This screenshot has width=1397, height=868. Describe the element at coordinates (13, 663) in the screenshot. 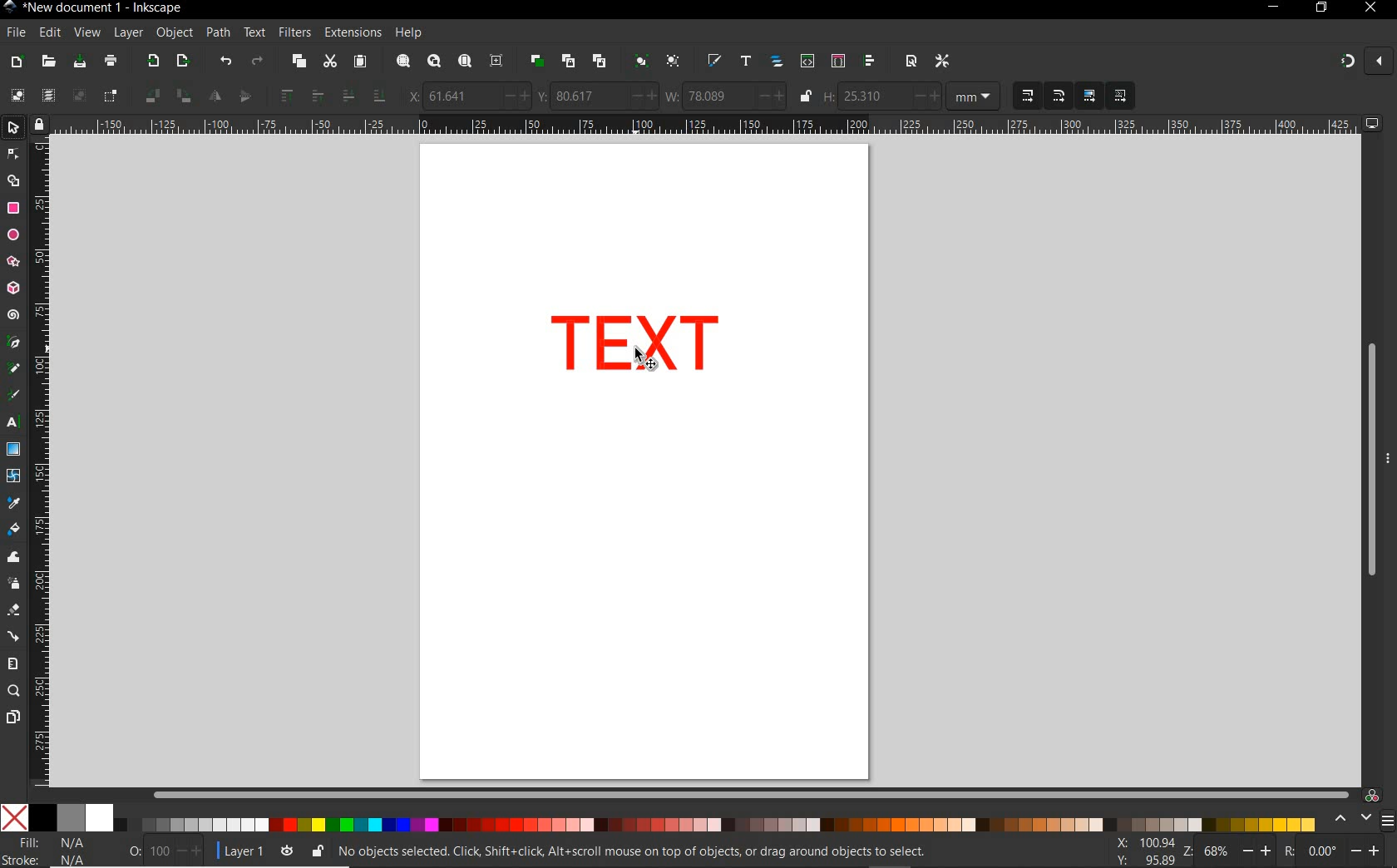

I see `measure tool` at that location.